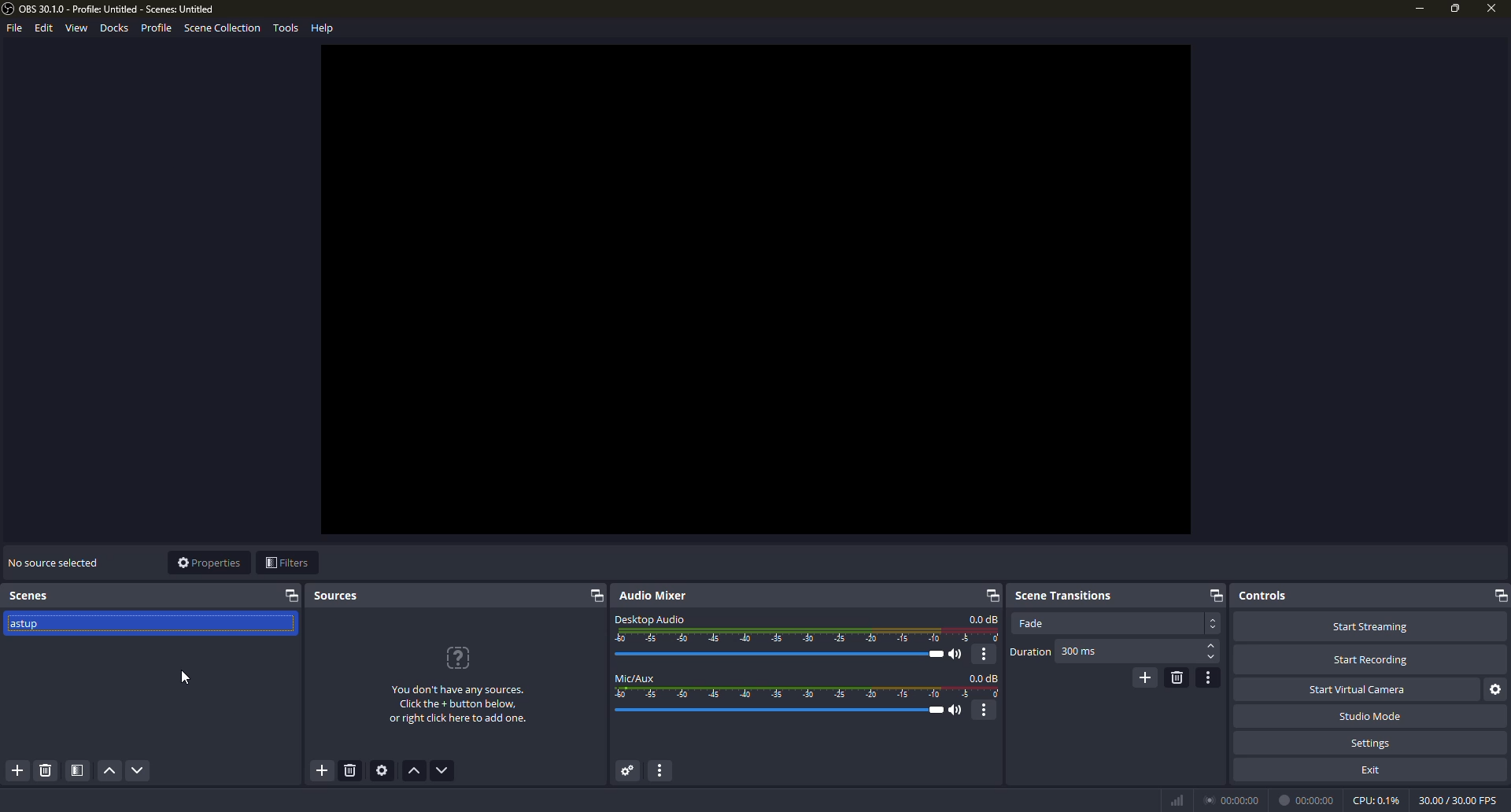 The height and width of the screenshot is (812, 1511). Describe the element at coordinates (1309, 799) in the screenshot. I see `time` at that location.